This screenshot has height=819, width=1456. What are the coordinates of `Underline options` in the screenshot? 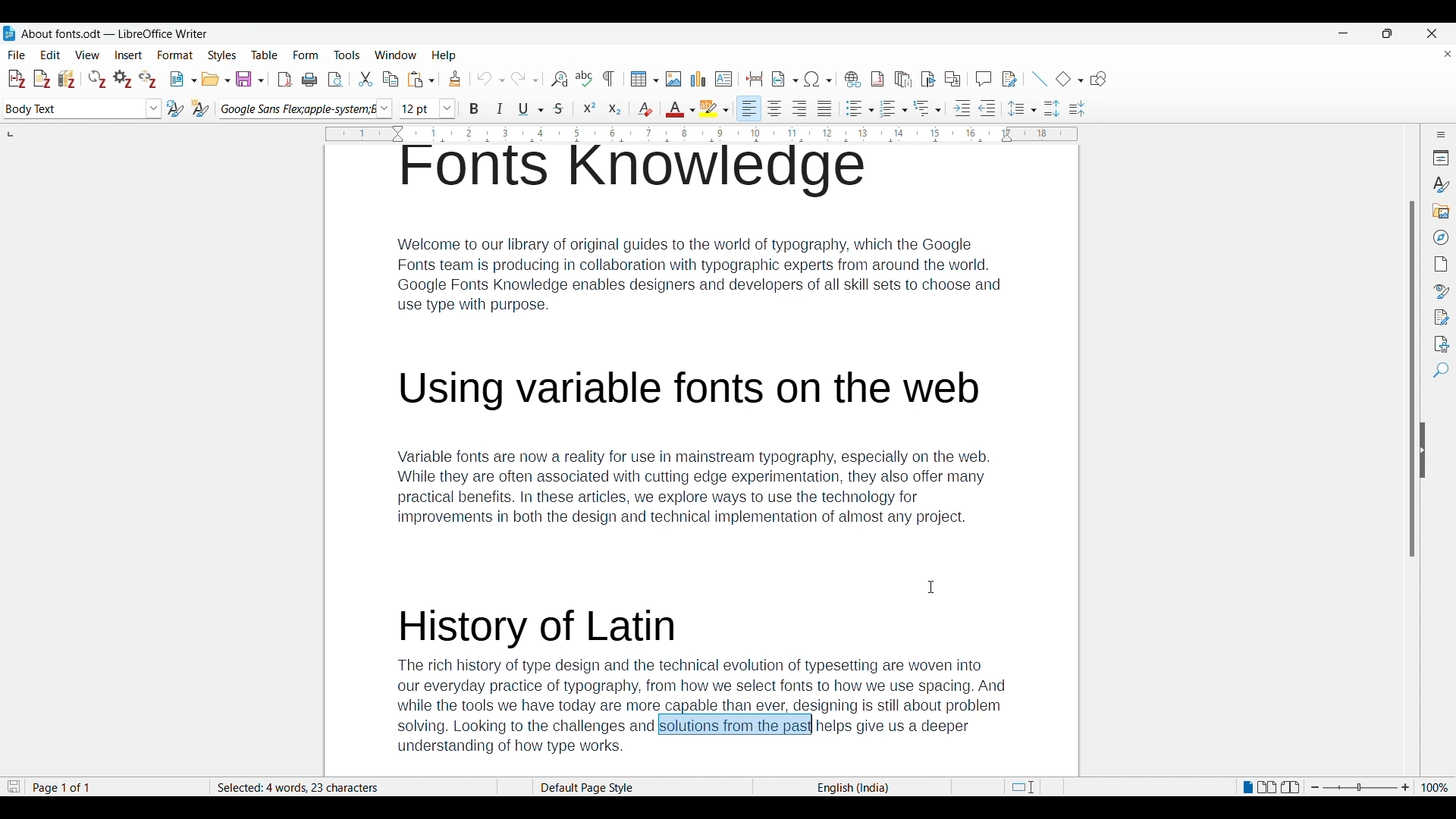 It's located at (532, 109).